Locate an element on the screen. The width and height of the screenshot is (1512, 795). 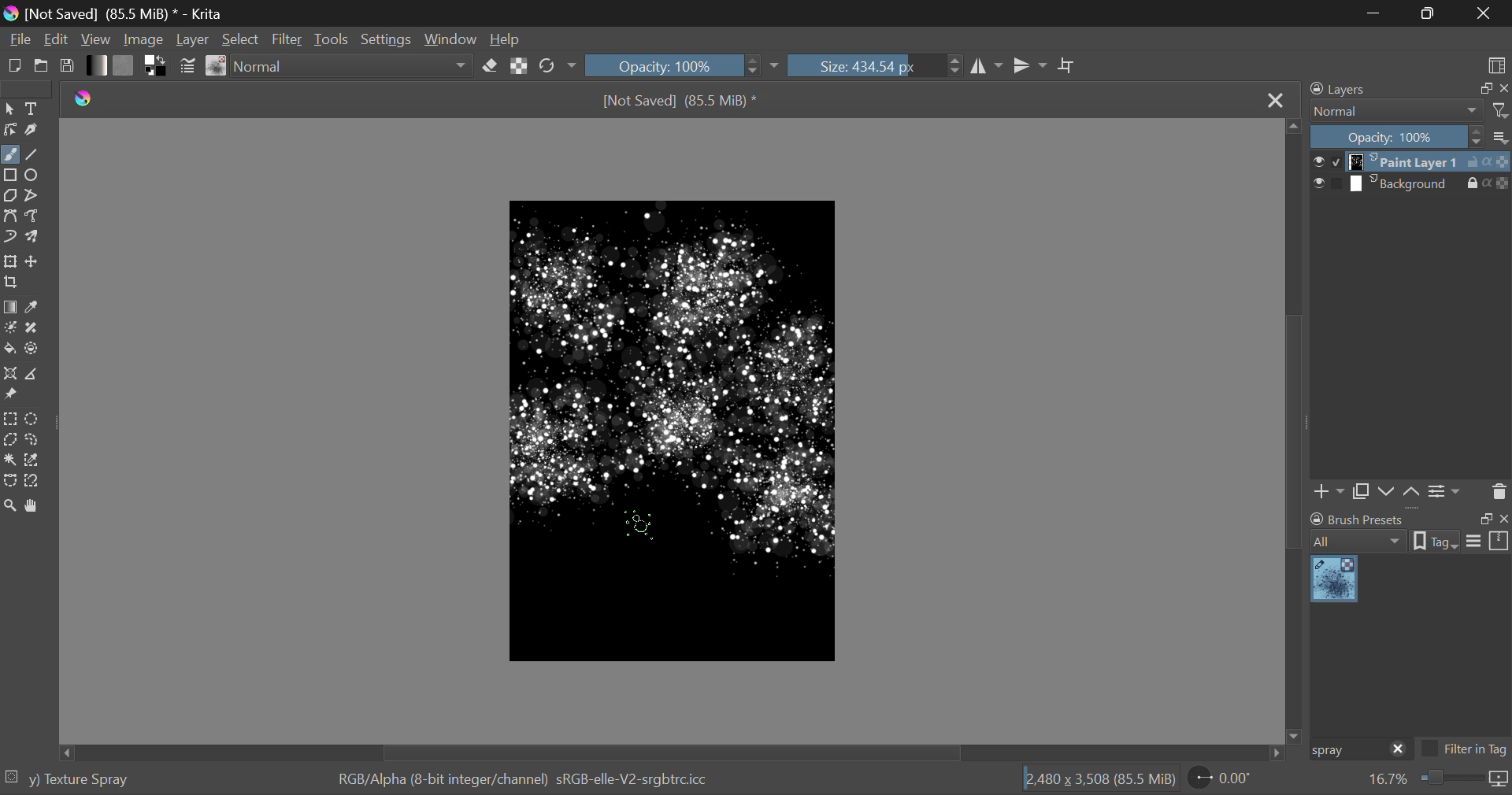
File is located at coordinates (19, 38).